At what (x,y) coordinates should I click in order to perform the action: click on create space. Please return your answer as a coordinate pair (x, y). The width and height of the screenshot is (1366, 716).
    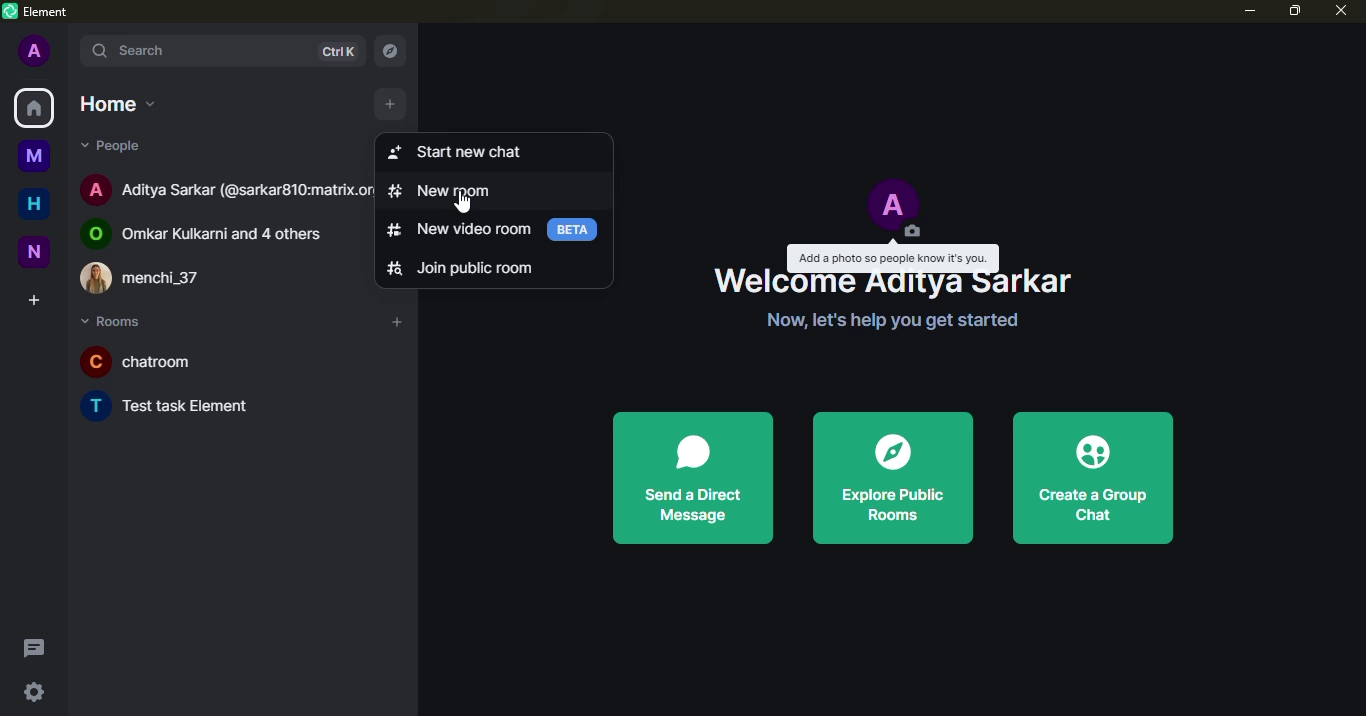
    Looking at the image, I should click on (37, 300).